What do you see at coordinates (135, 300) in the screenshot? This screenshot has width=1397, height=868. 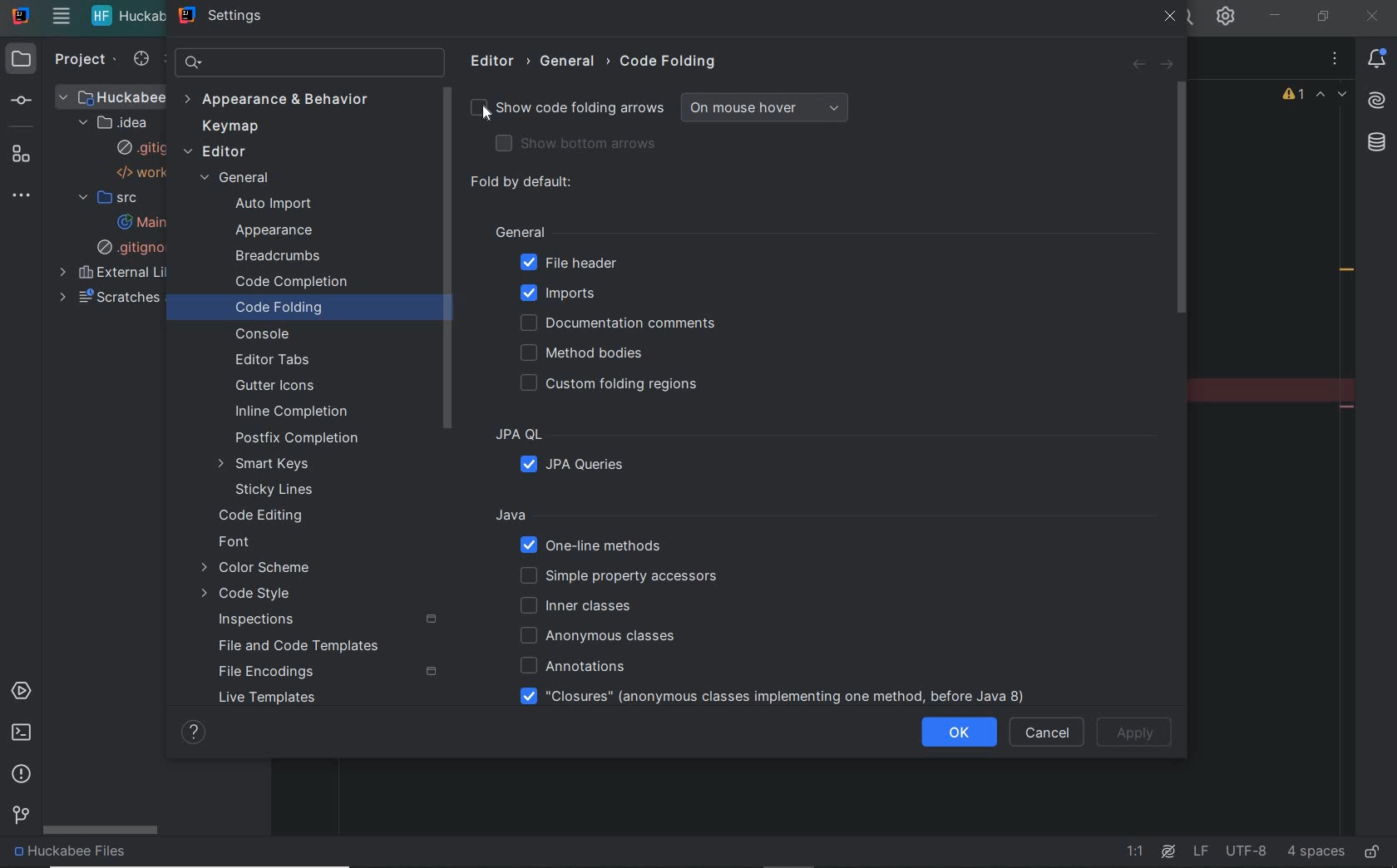 I see `scratches and consoles` at bounding box center [135, 300].